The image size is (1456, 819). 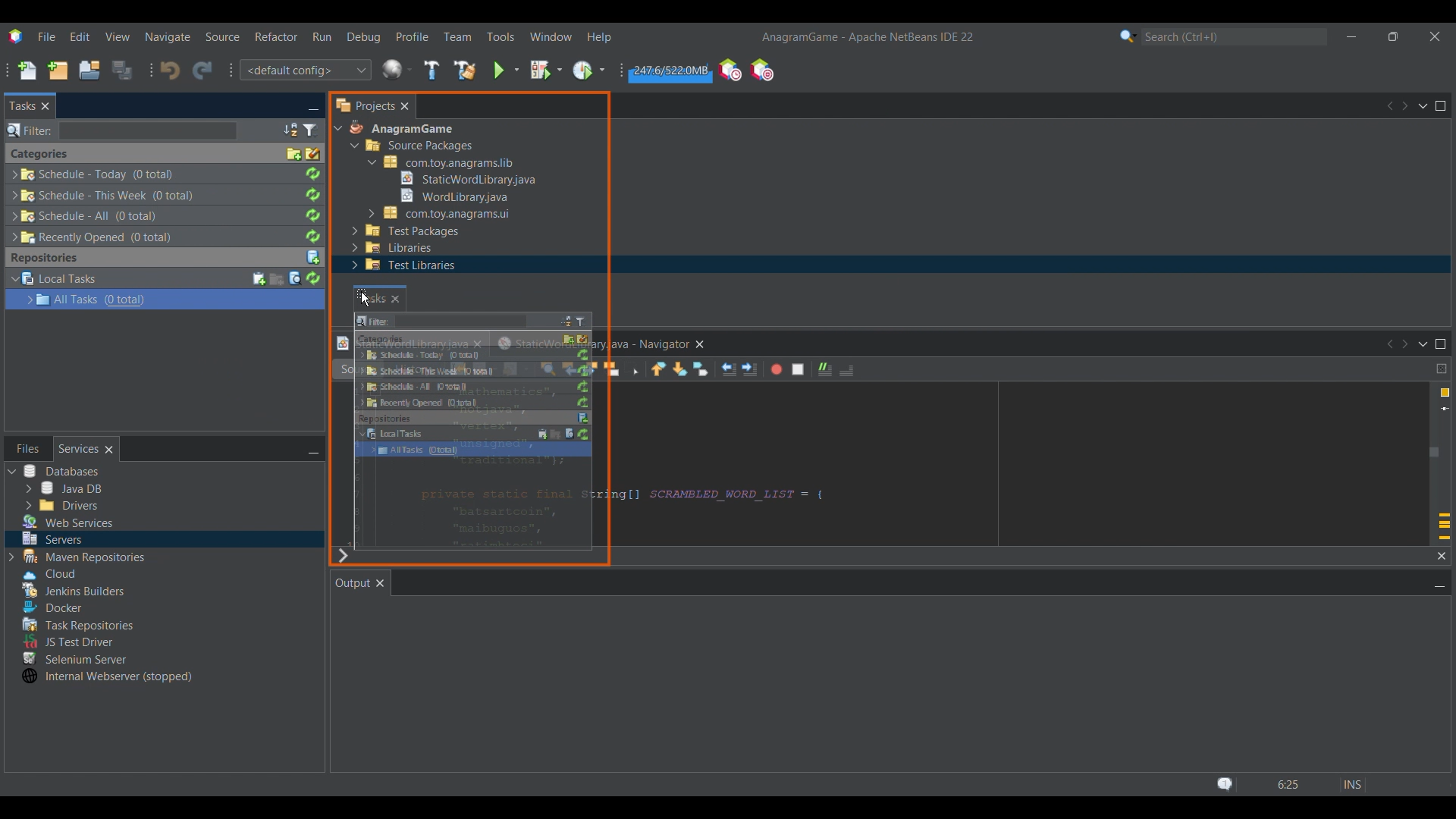 What do you see at coordinates (49, 605) in the screenshot?
I see `` at bounding box center [49, 605].